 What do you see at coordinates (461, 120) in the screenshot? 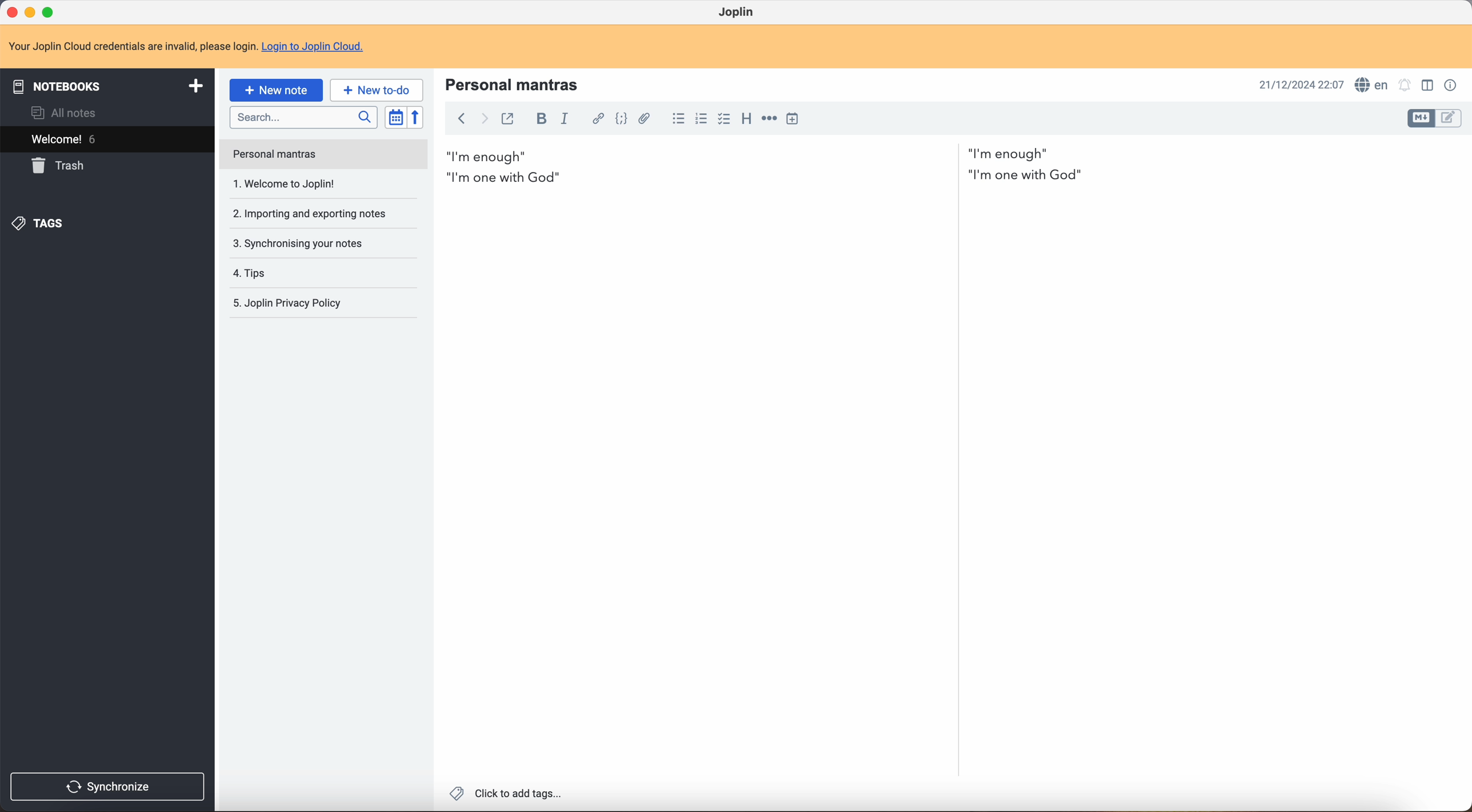
I see `back` at bounding box center [461, 120].